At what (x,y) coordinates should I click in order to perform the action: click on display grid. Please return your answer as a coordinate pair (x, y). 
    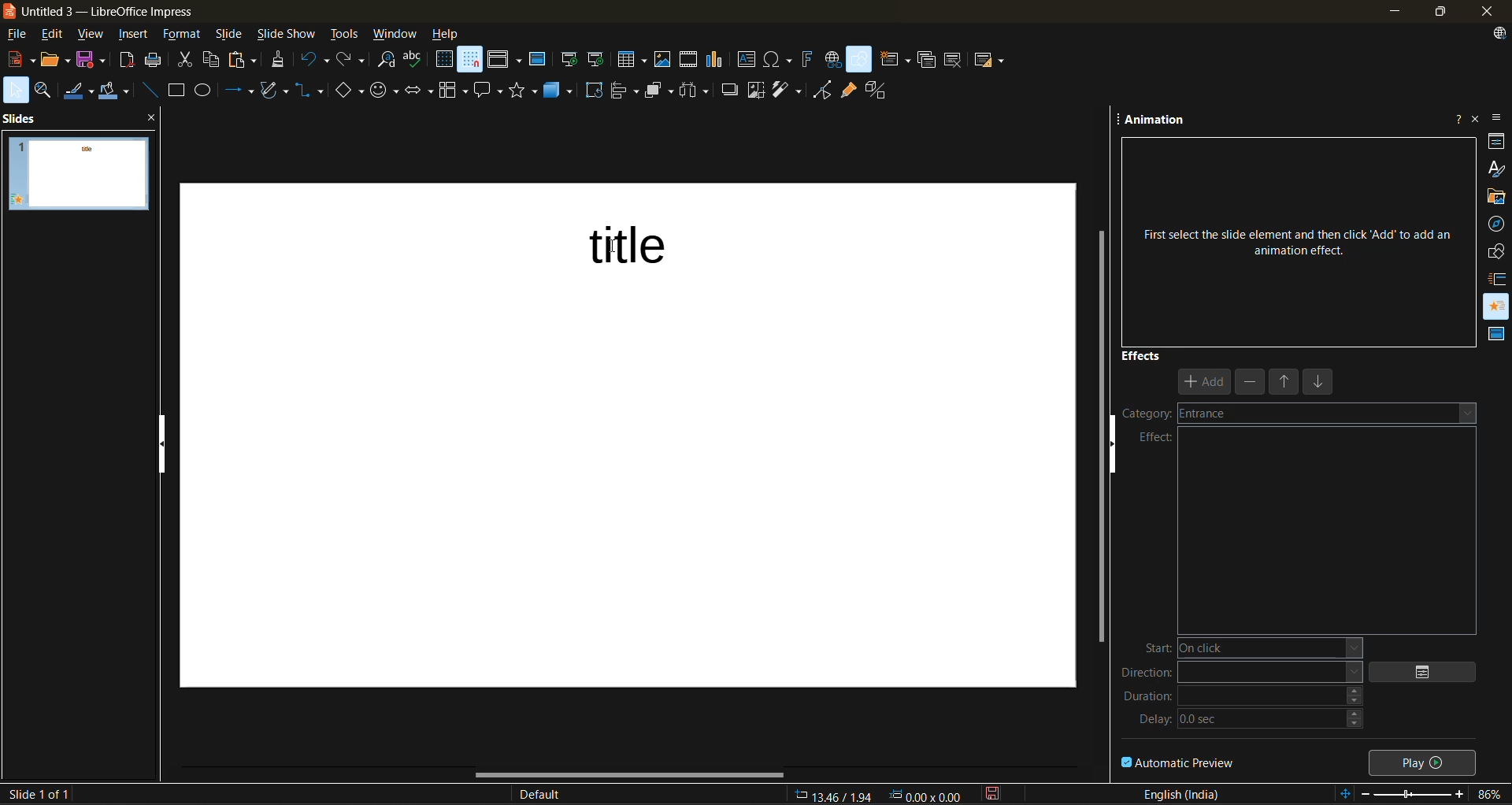
    Looking at the image, I should click on (444, 59).